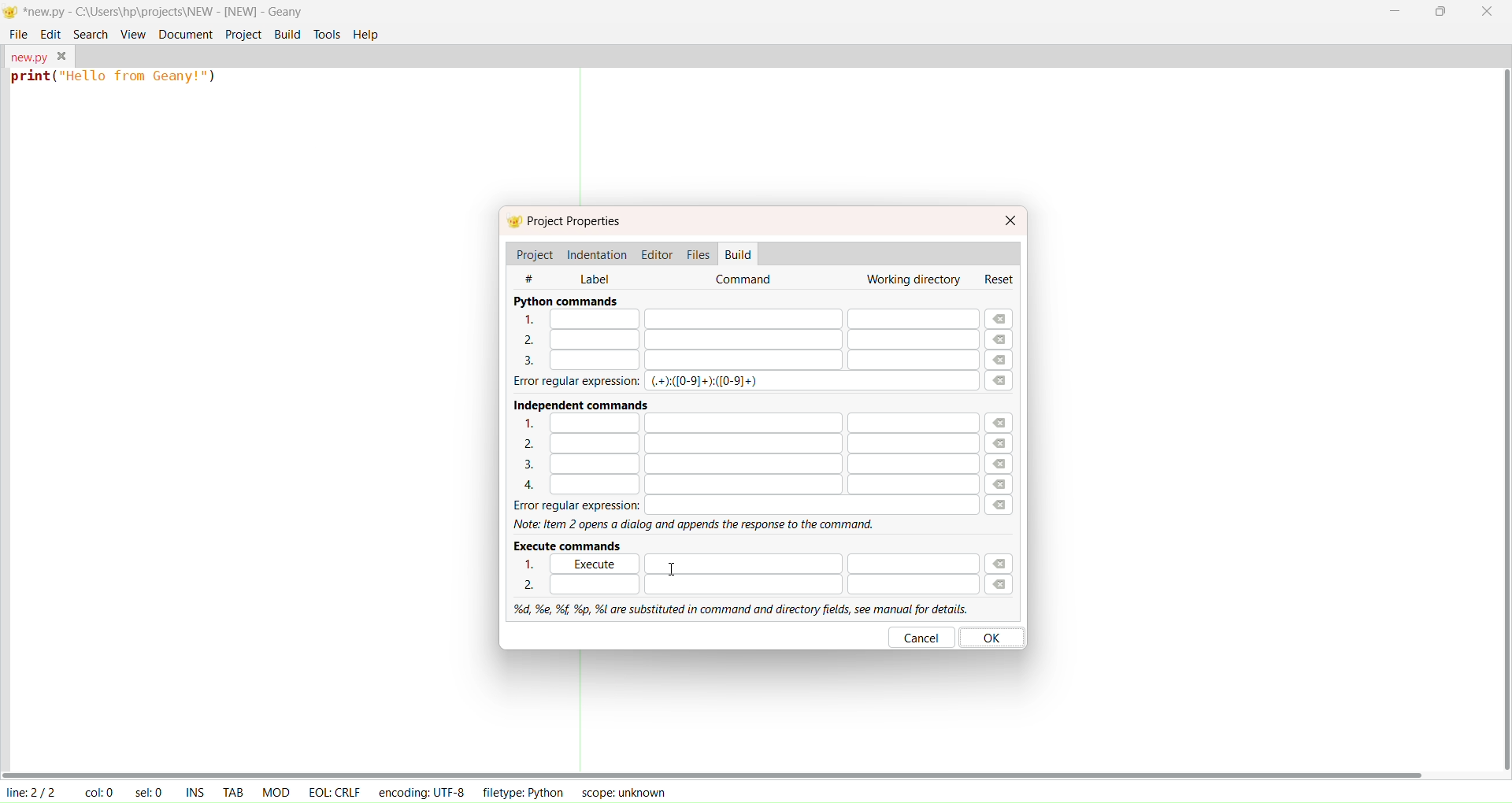 This screenshot has height=803, width=1512. What do you see at coordinates (576, 222) in the screenshot?
I see `project properties` at bounding box center [576, 222].